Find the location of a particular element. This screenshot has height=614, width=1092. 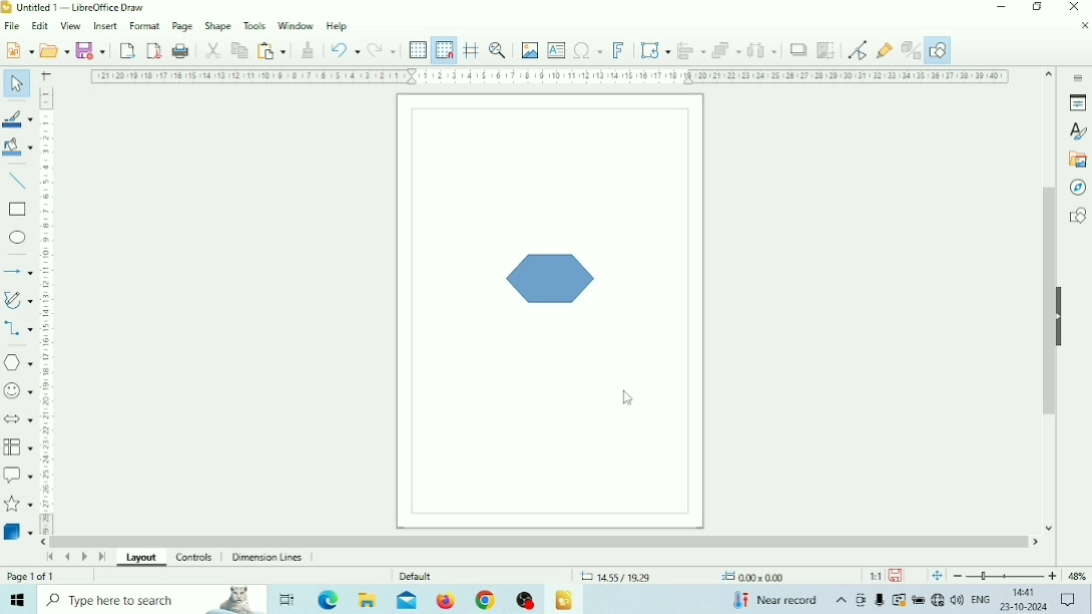

Block Arrows is located at coordinates (18, 418).